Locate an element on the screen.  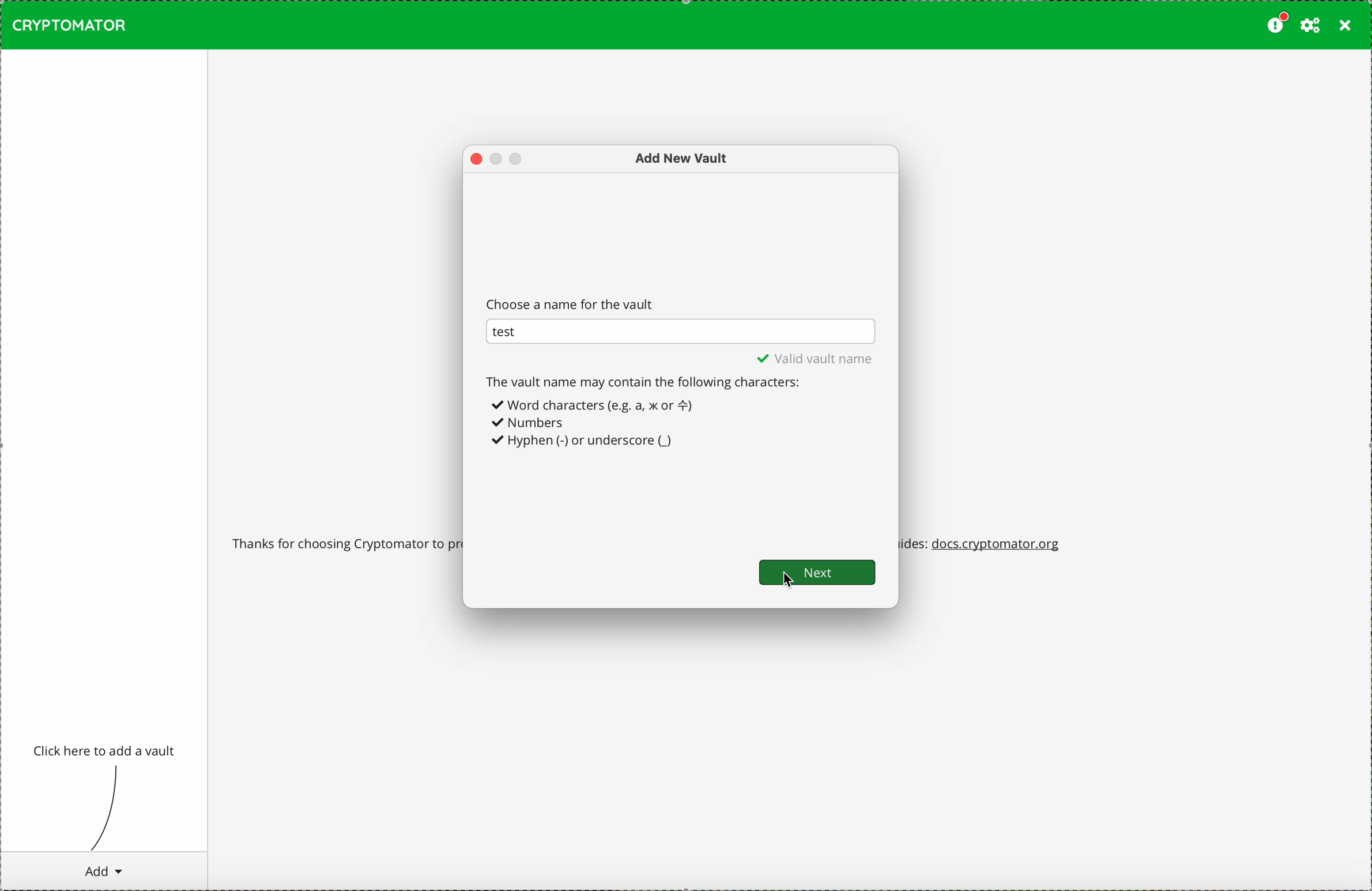
+ Word characters (e.g. a, x or =) is located at coordinates (597, 405).